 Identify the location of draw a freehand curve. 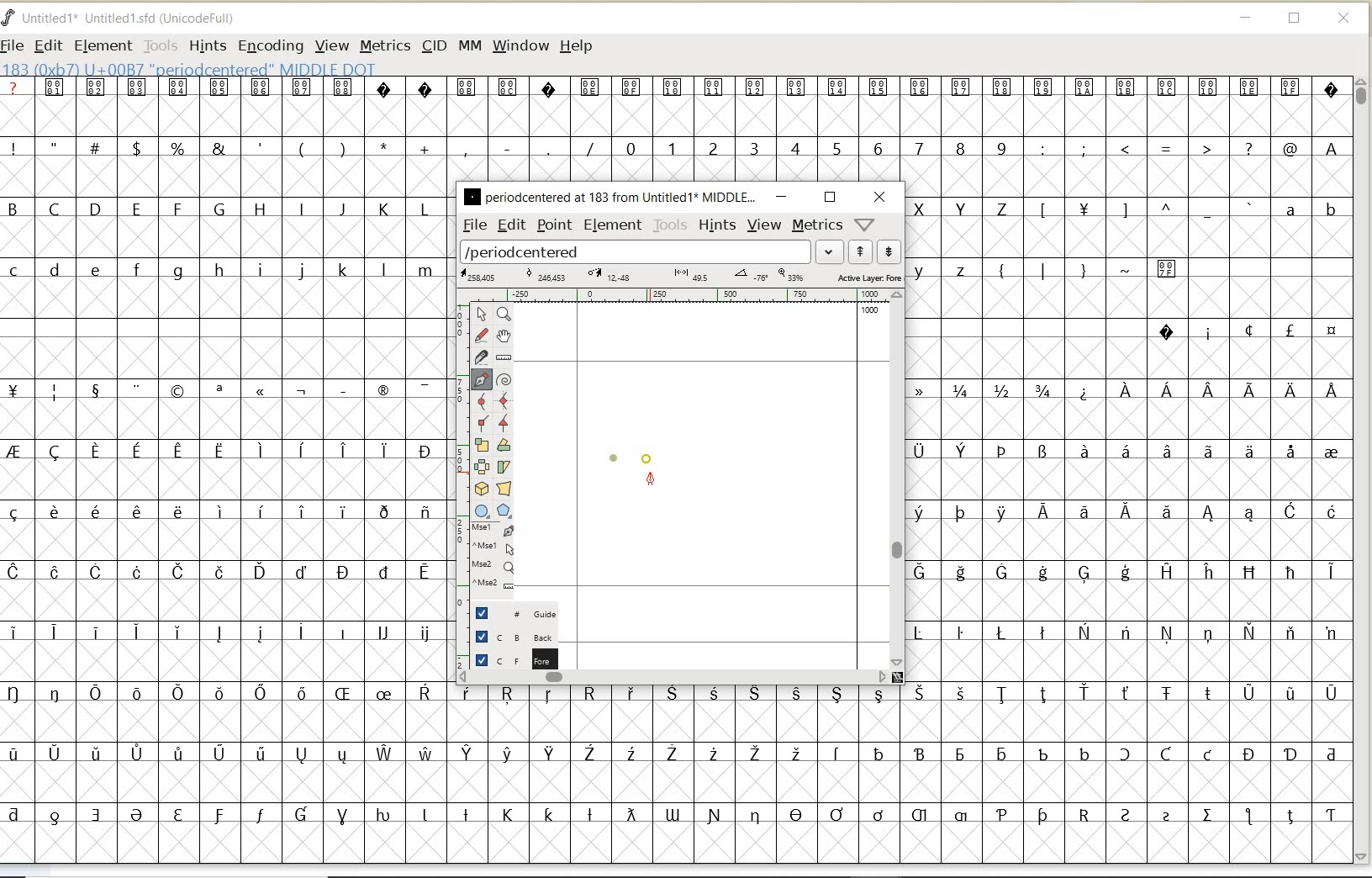
(481, 333).